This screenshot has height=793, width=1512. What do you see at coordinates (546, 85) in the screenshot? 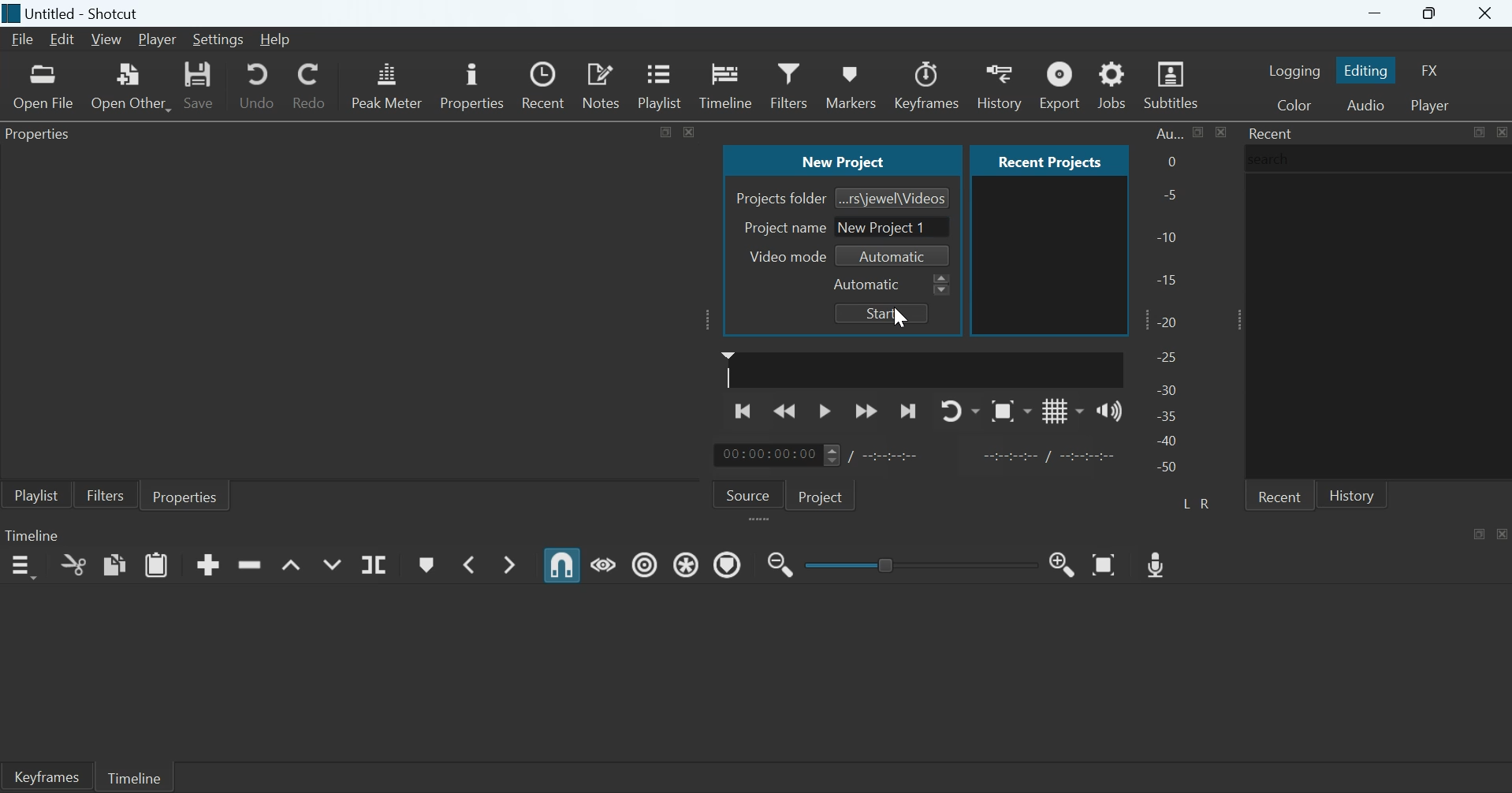
I see `Recent` at bounding box center [546, 85].